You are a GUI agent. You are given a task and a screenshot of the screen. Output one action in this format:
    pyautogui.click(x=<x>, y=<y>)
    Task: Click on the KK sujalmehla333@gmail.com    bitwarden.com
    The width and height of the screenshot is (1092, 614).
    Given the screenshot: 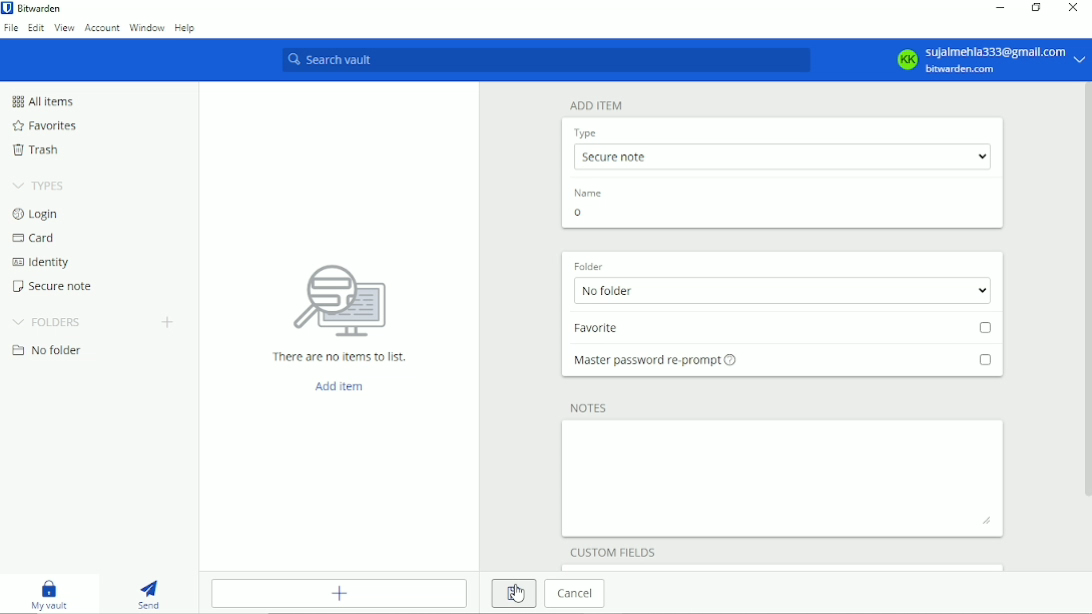 What is the action you would take?
    pyautogui.click(x=989, y=60)
    